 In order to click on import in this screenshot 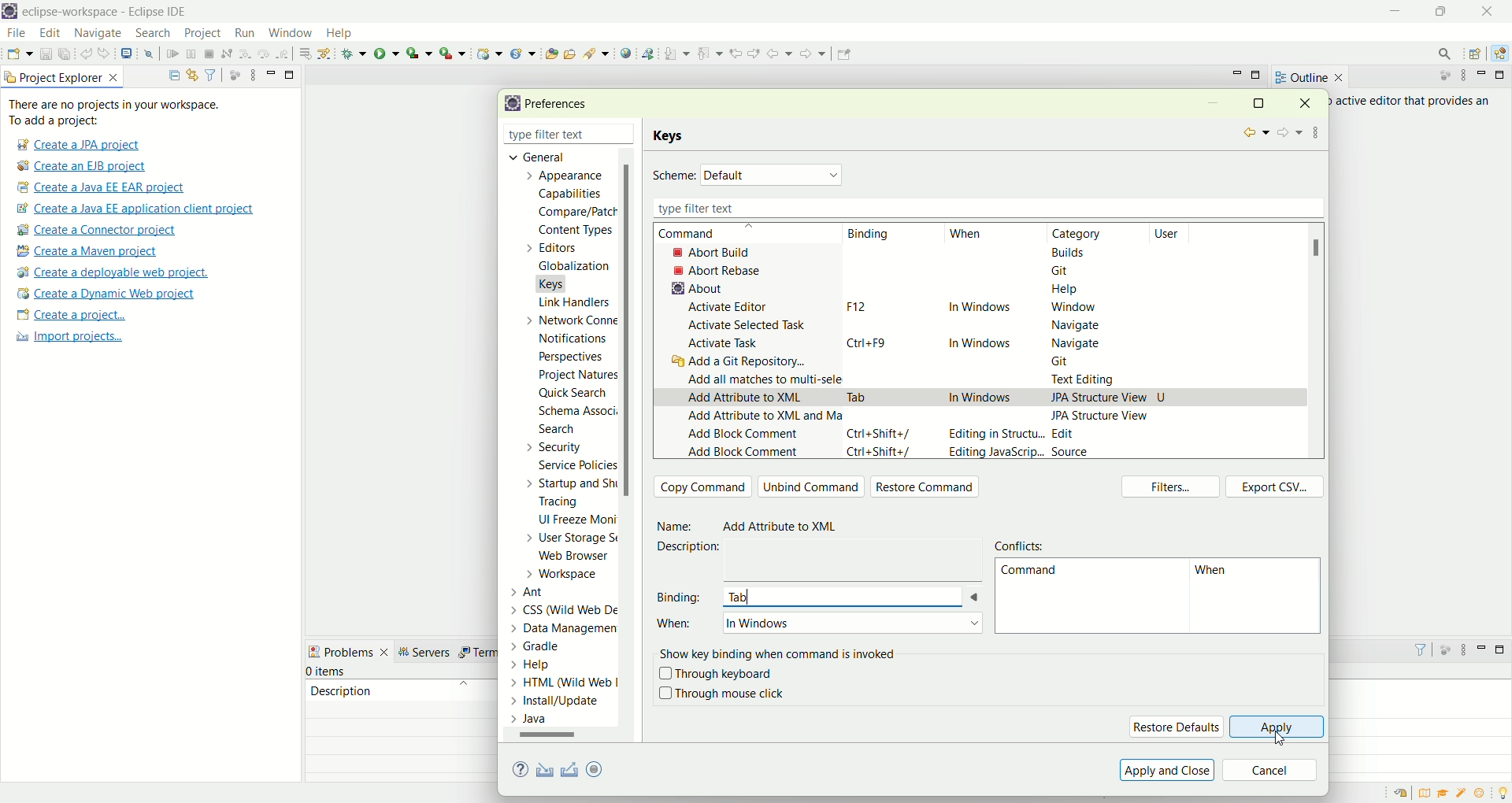, I will do `click(542, 771)`.